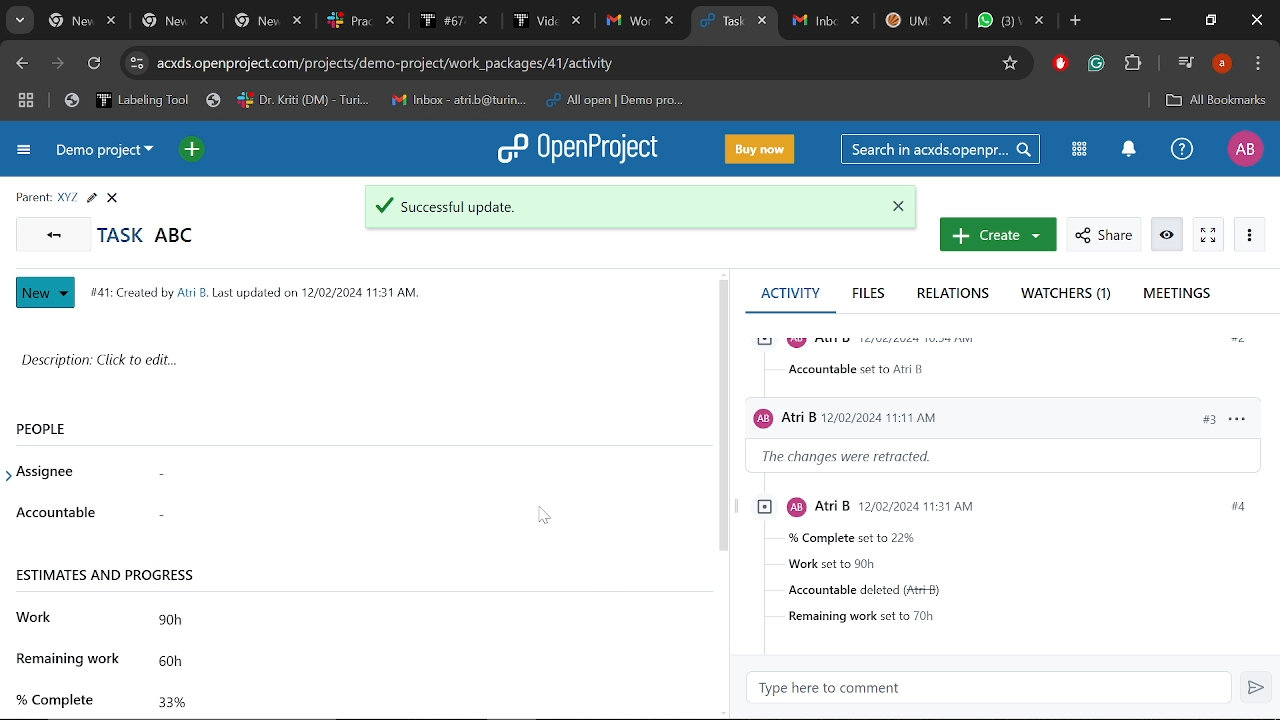  What do you see at coordinates (53, 696) in the screenshot?
I see `% complete` at bounding box center [53, 696].